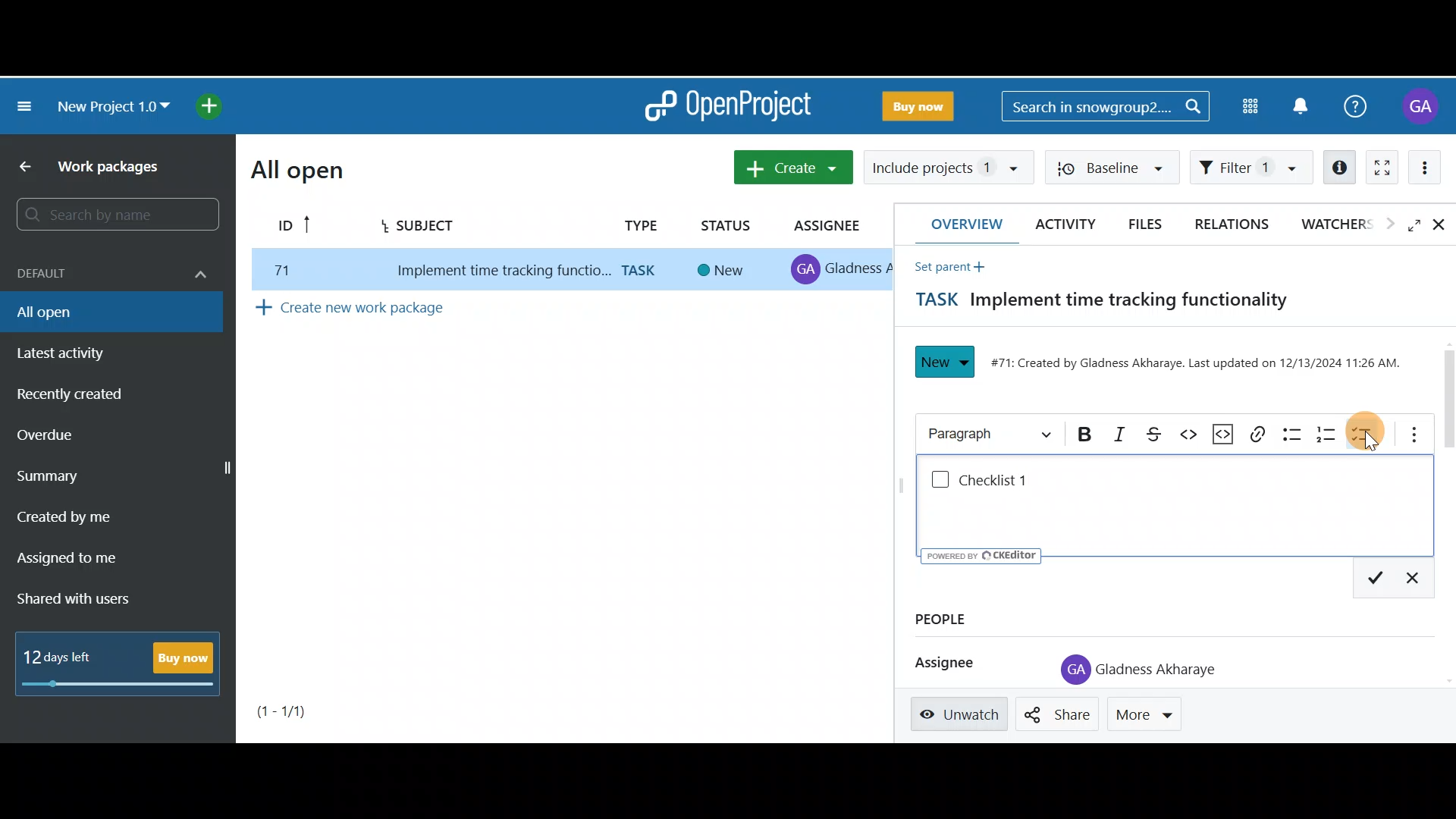 The width and height of the screenshot is (1456, 819). Describe the element at coordinates (297, 170) in the screenshot. I see `All open` at that location.